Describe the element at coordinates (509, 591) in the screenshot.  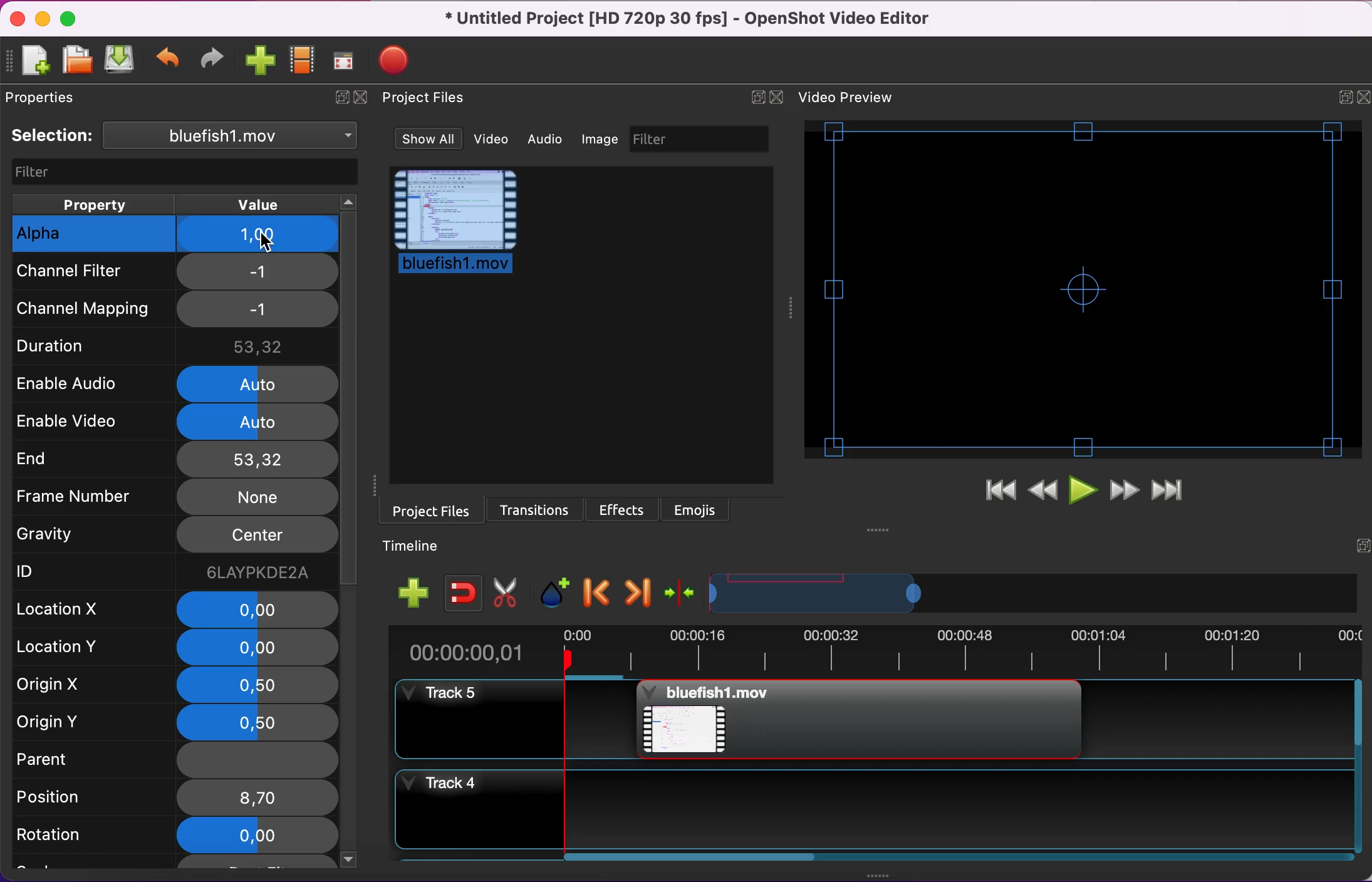
I see `cut` at that location.